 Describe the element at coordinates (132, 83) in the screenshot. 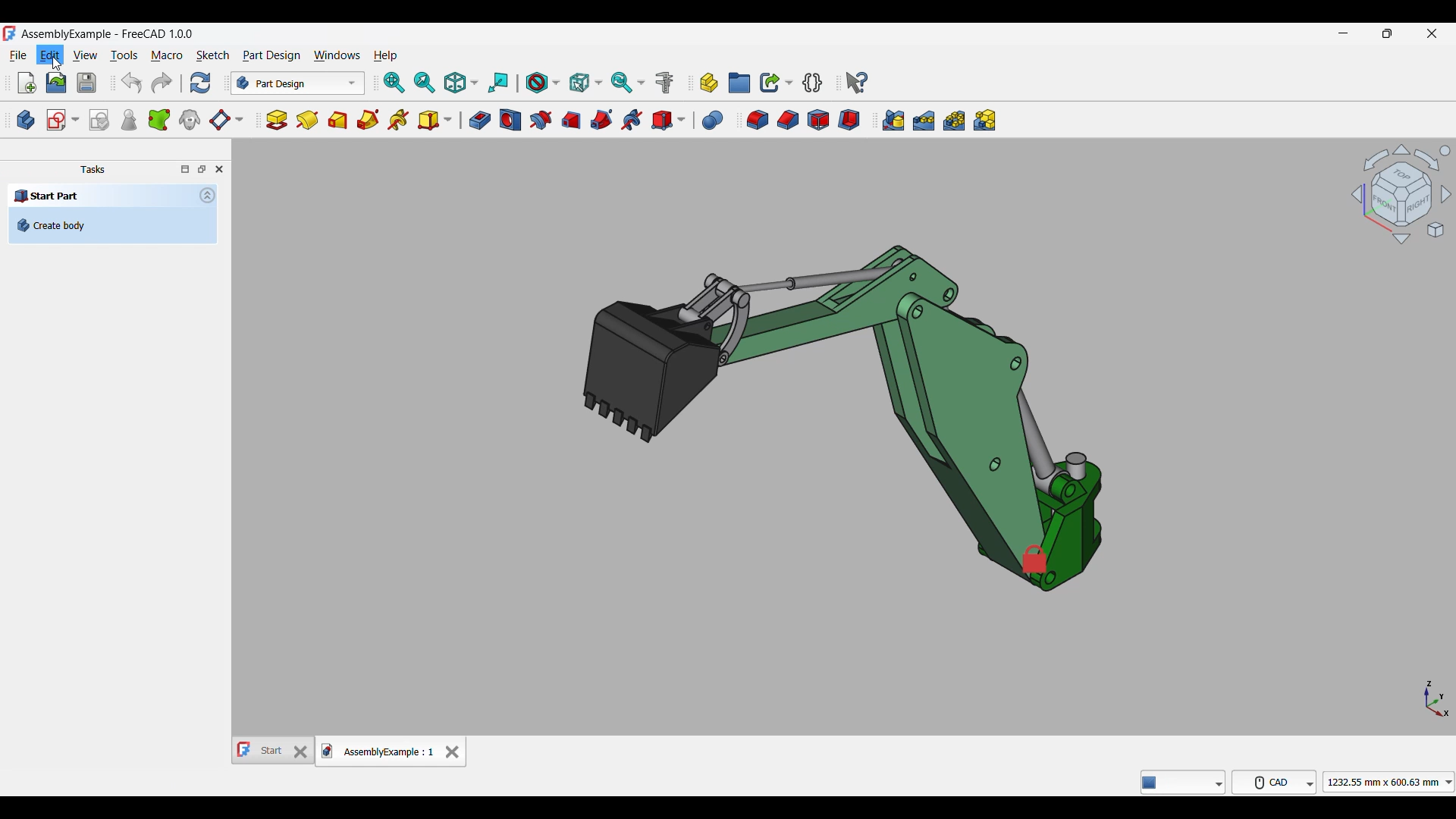

I see `Undo` at that location.